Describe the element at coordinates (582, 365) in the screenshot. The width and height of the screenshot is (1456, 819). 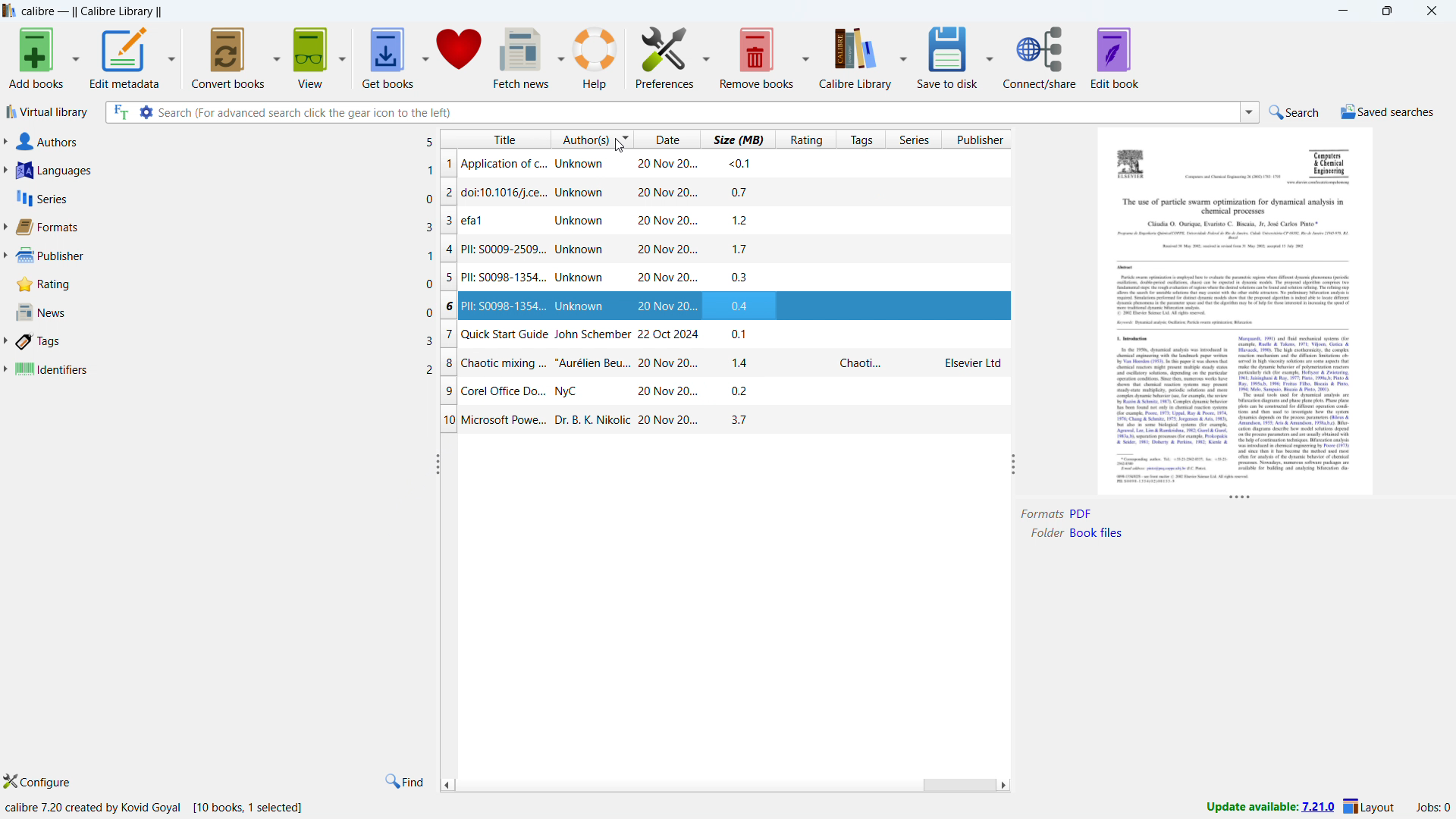
I see `chaotic mixing ... "Aurélien Beu... 20 Nov 20...` at that location.